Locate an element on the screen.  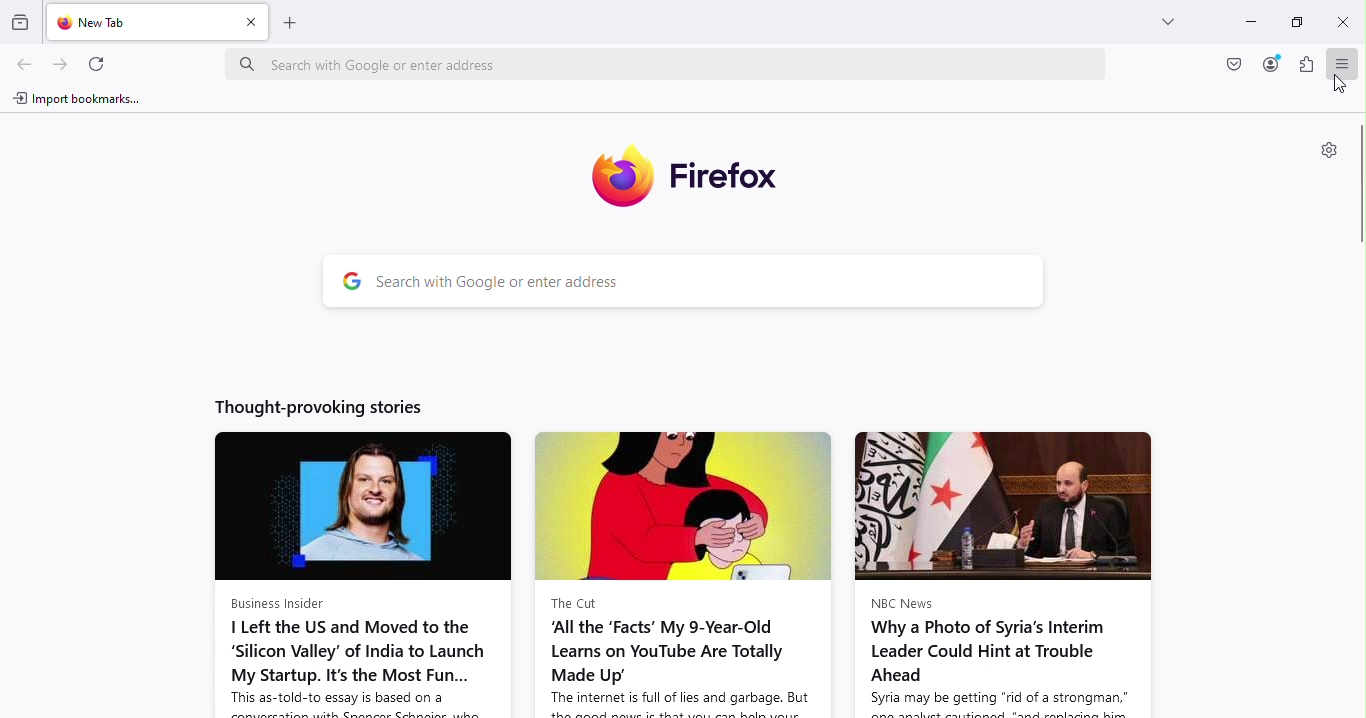
New tab is located at coordinates (138, 21).